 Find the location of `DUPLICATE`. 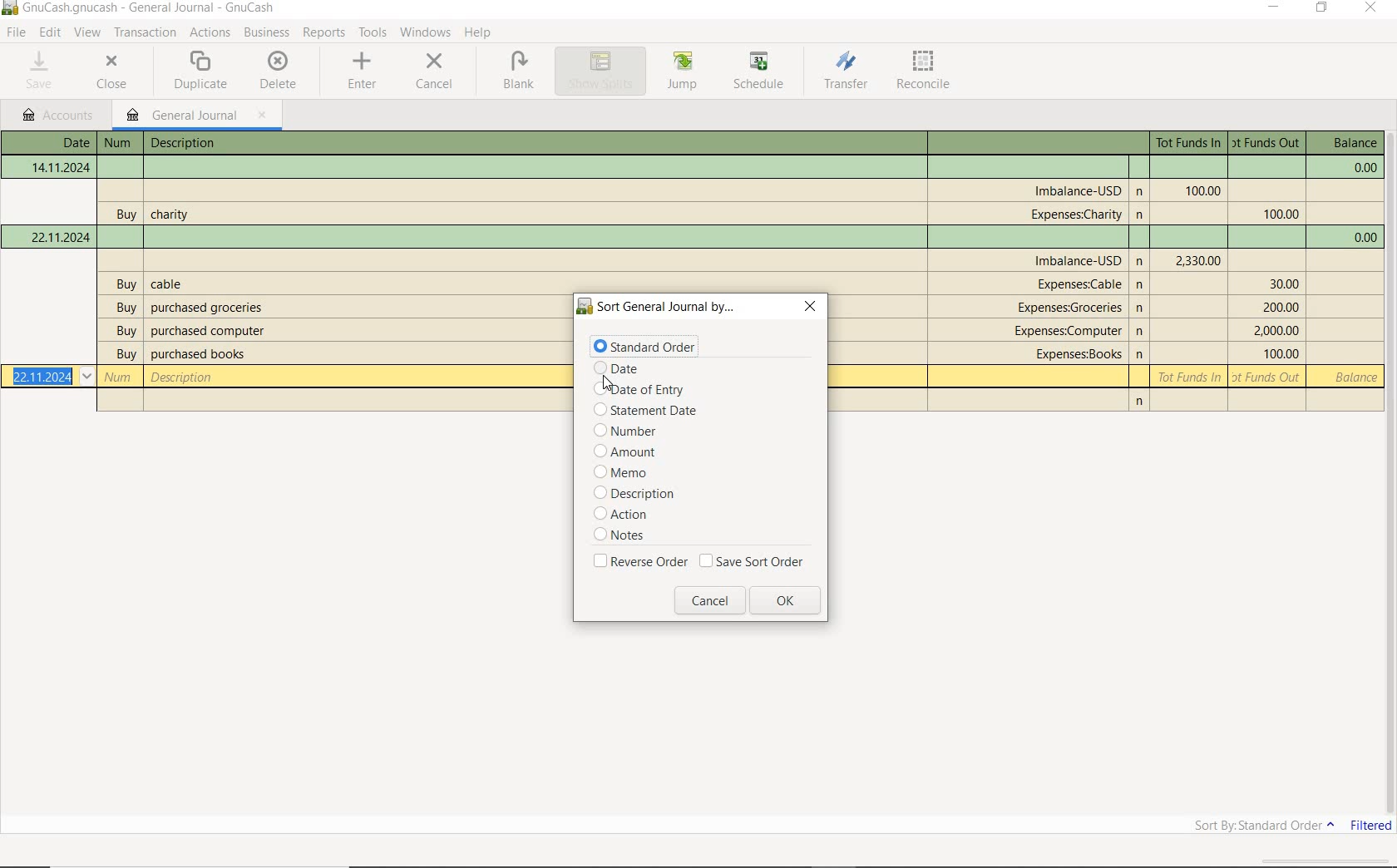

DUPLICATE is located at coordinates (201, 70).